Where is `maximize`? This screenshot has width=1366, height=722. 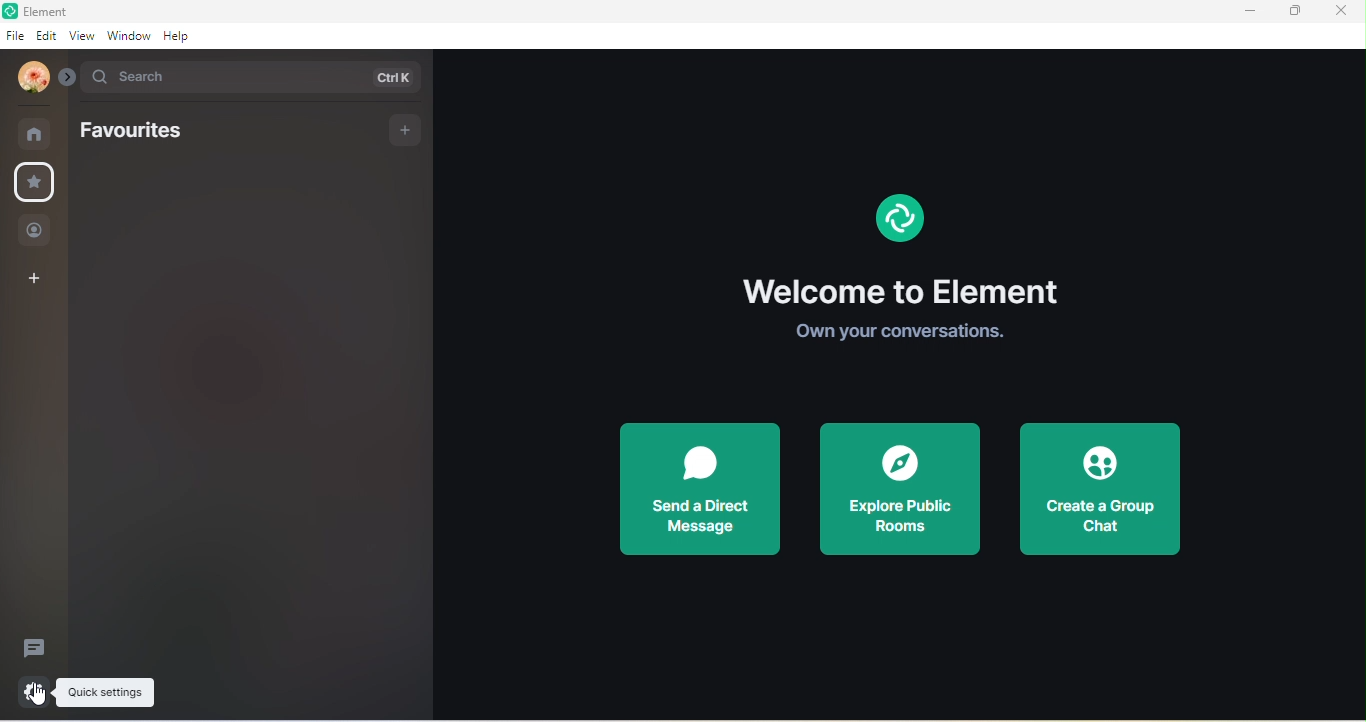 maximize is located at coordinates (1295, 14).